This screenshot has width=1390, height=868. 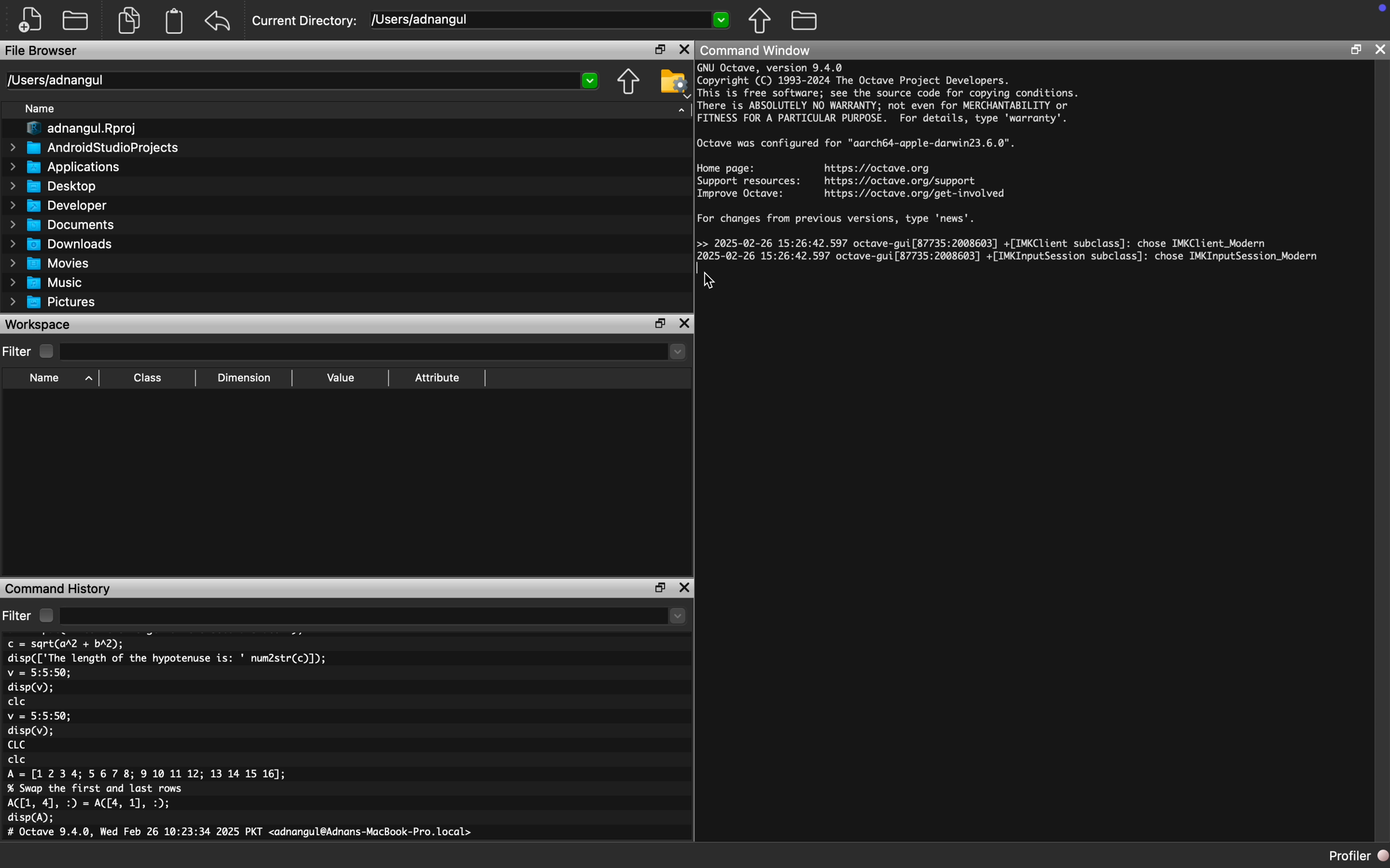 What do you see at coordinates (32, 818) in the screenshot?
I see `disp(A);` at bounding box center [32, 818].